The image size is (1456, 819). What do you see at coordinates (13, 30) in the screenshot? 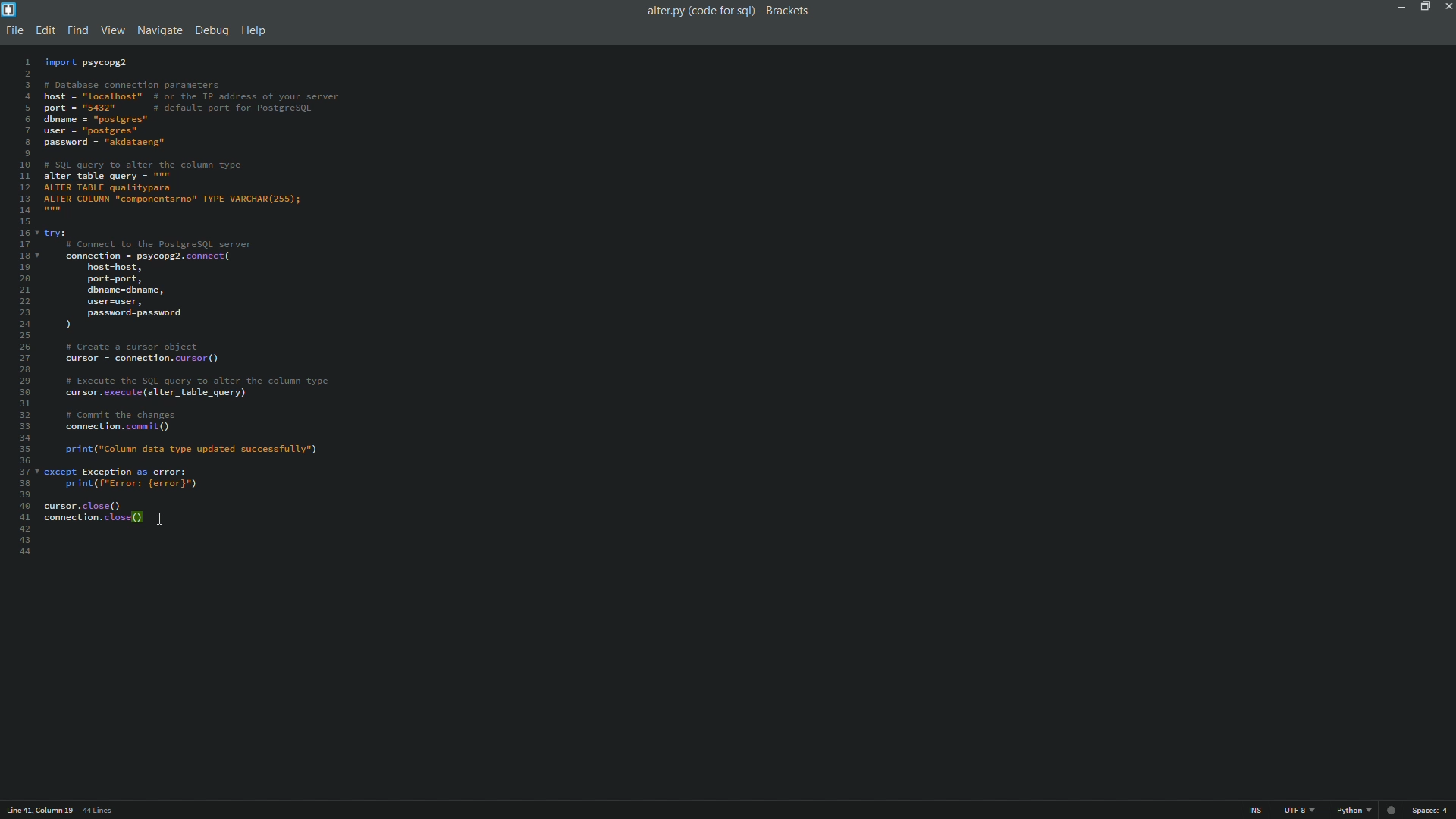
I see `file menu` at bounding box center [13, 30].